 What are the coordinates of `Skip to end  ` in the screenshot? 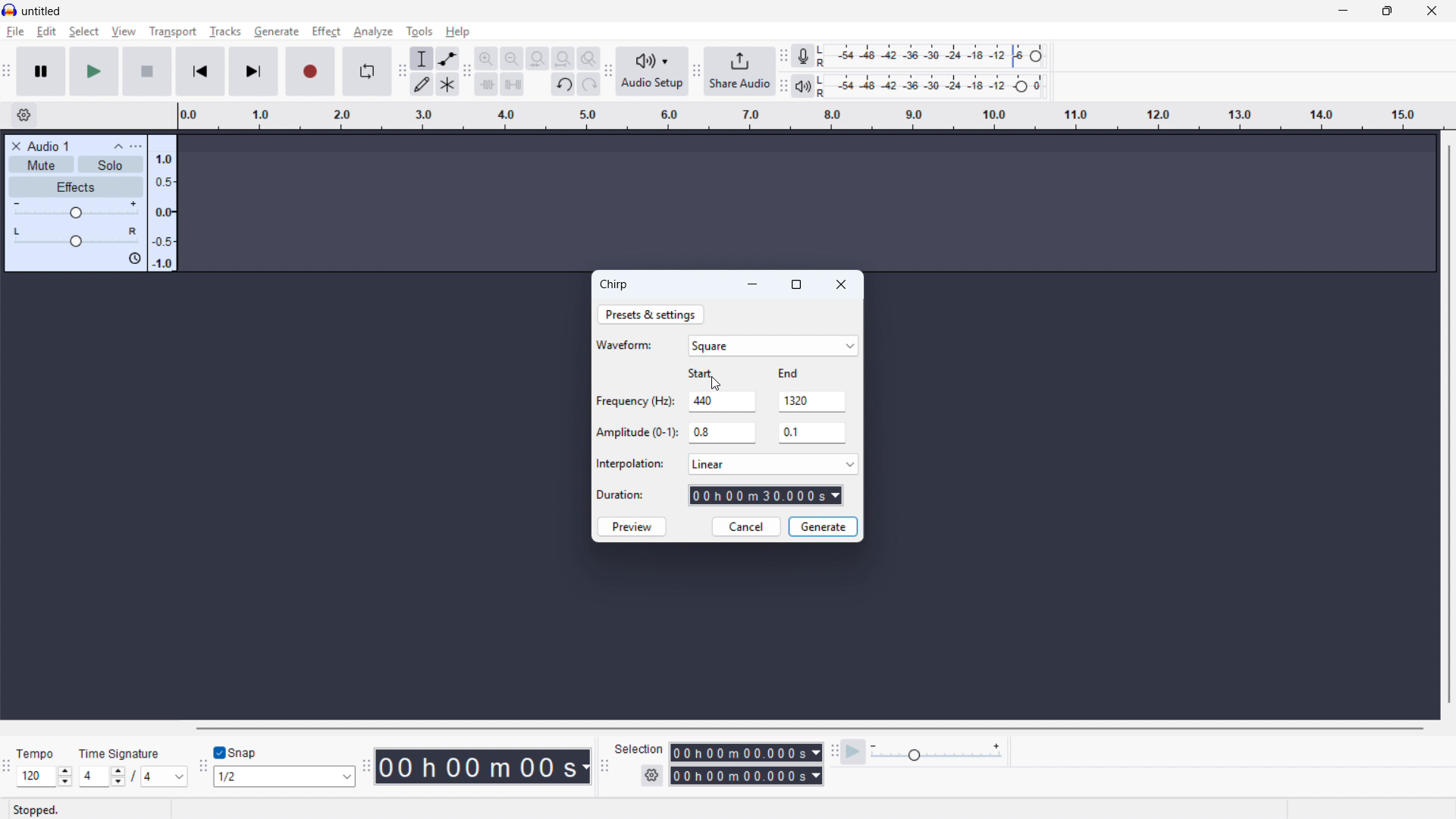 It's located at (253, 71).